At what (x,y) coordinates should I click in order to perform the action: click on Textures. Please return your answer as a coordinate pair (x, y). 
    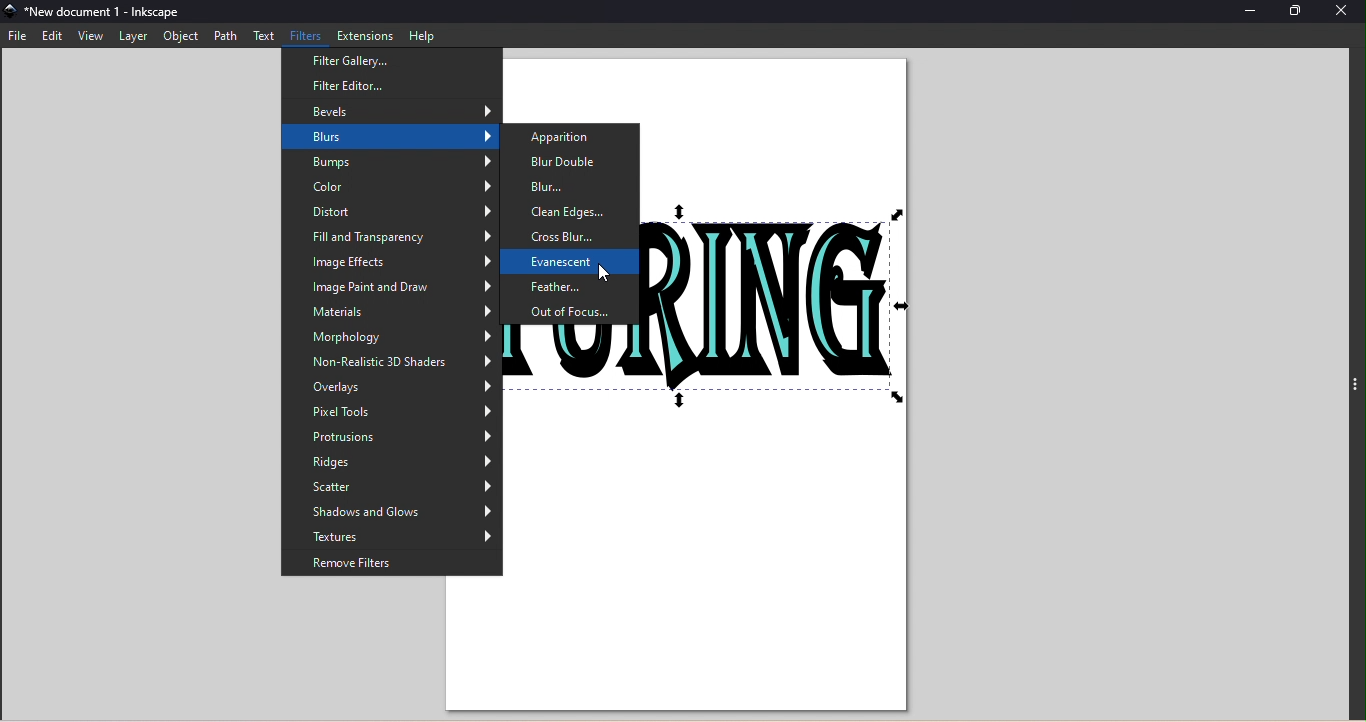
    Looking at the image, I should click on (392, 536).